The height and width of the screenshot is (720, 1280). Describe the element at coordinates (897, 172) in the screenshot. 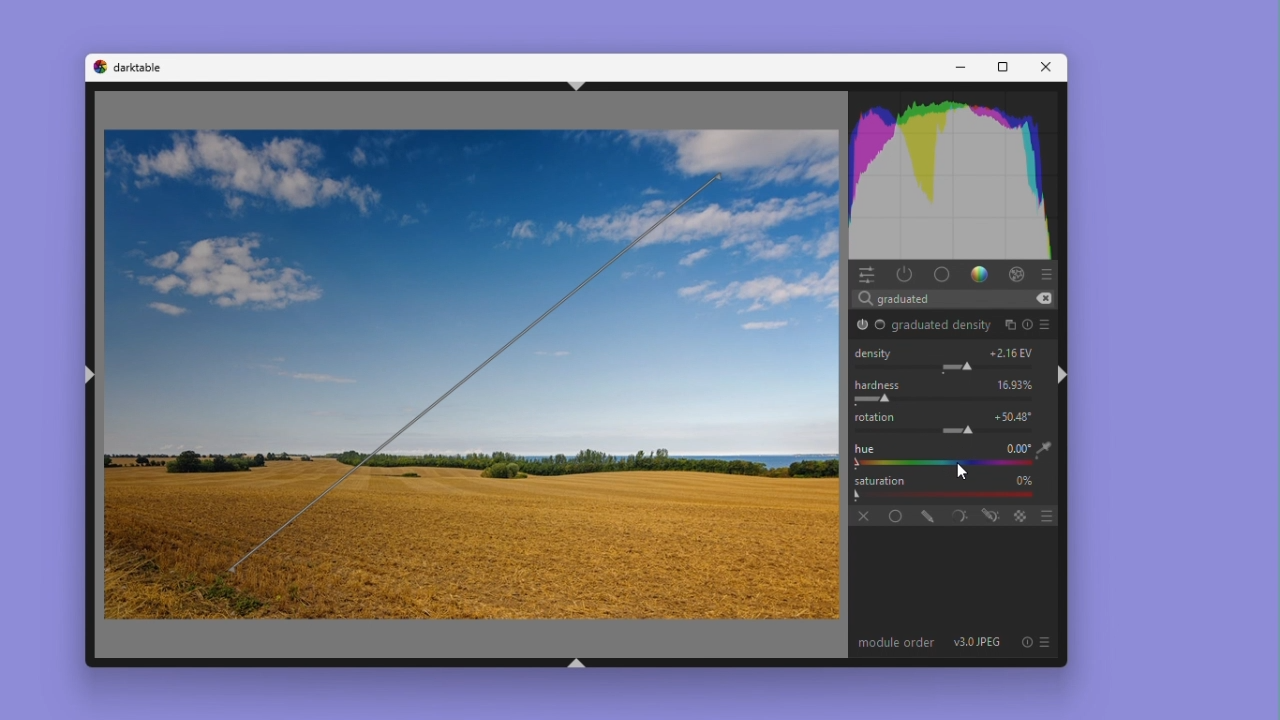

I see `Histogram` at that location.